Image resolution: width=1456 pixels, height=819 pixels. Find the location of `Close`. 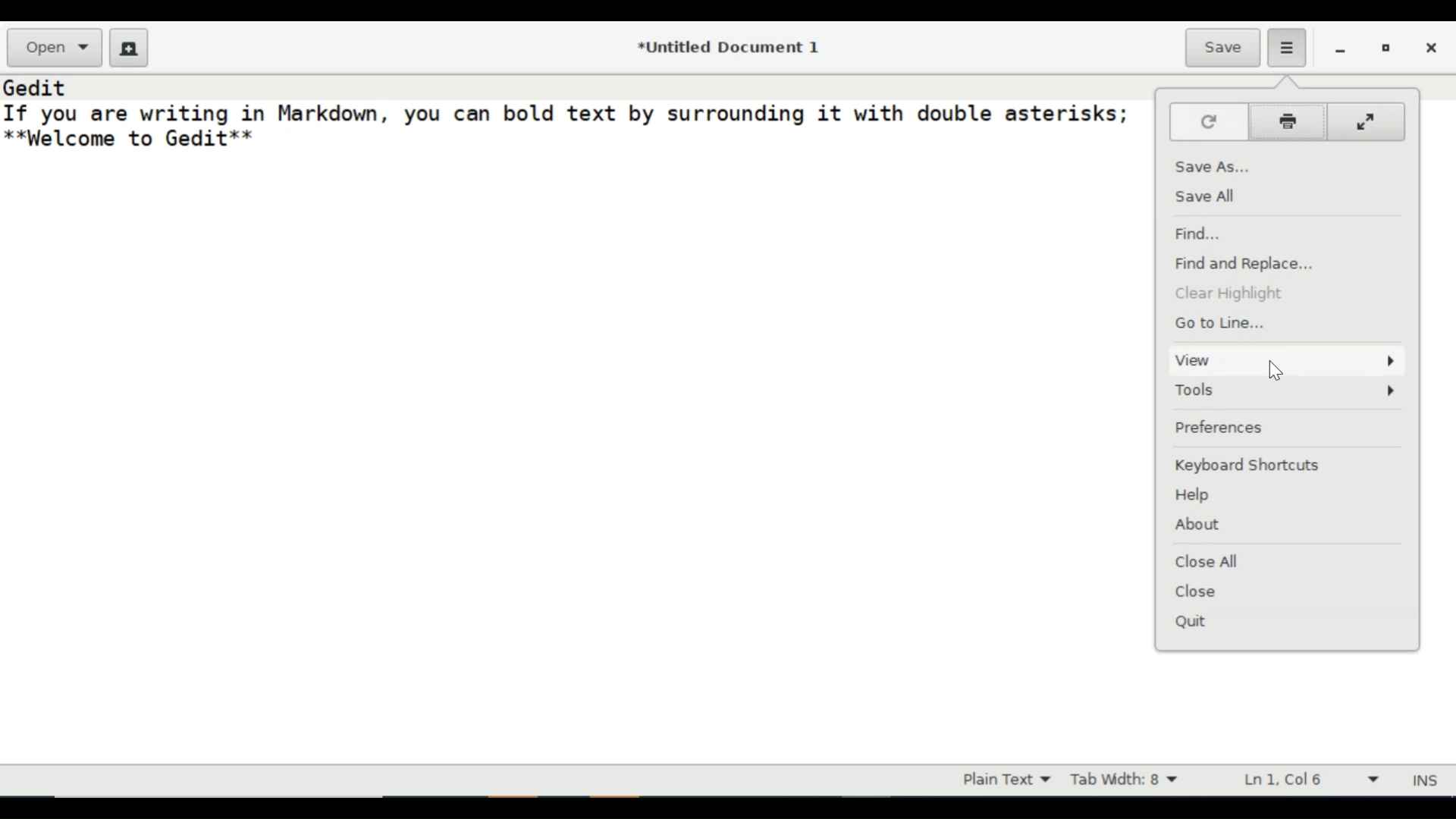

Close is located at coordinates (1202, 591).